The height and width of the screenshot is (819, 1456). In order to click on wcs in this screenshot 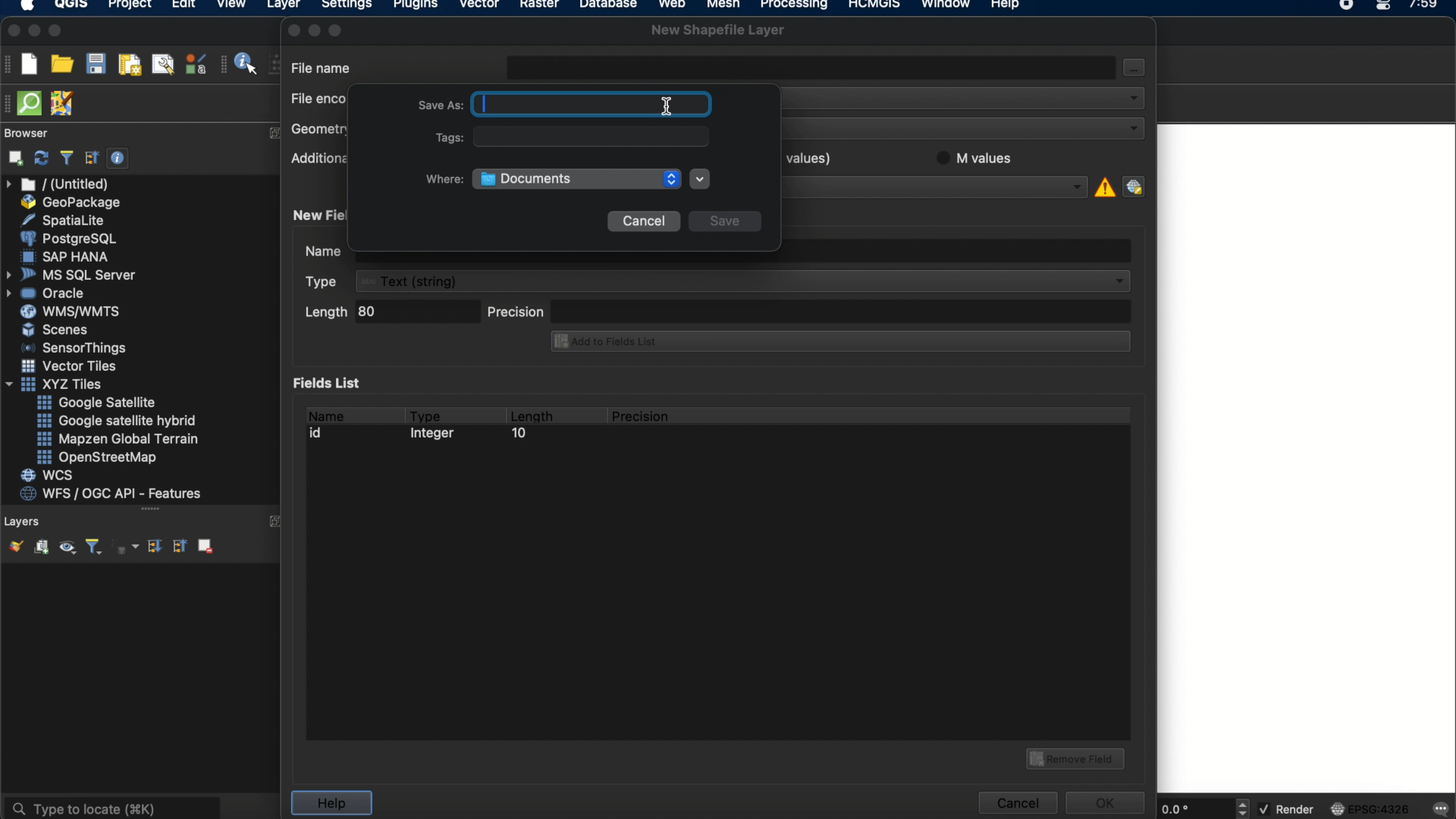, I will do `click(49, 476)`.